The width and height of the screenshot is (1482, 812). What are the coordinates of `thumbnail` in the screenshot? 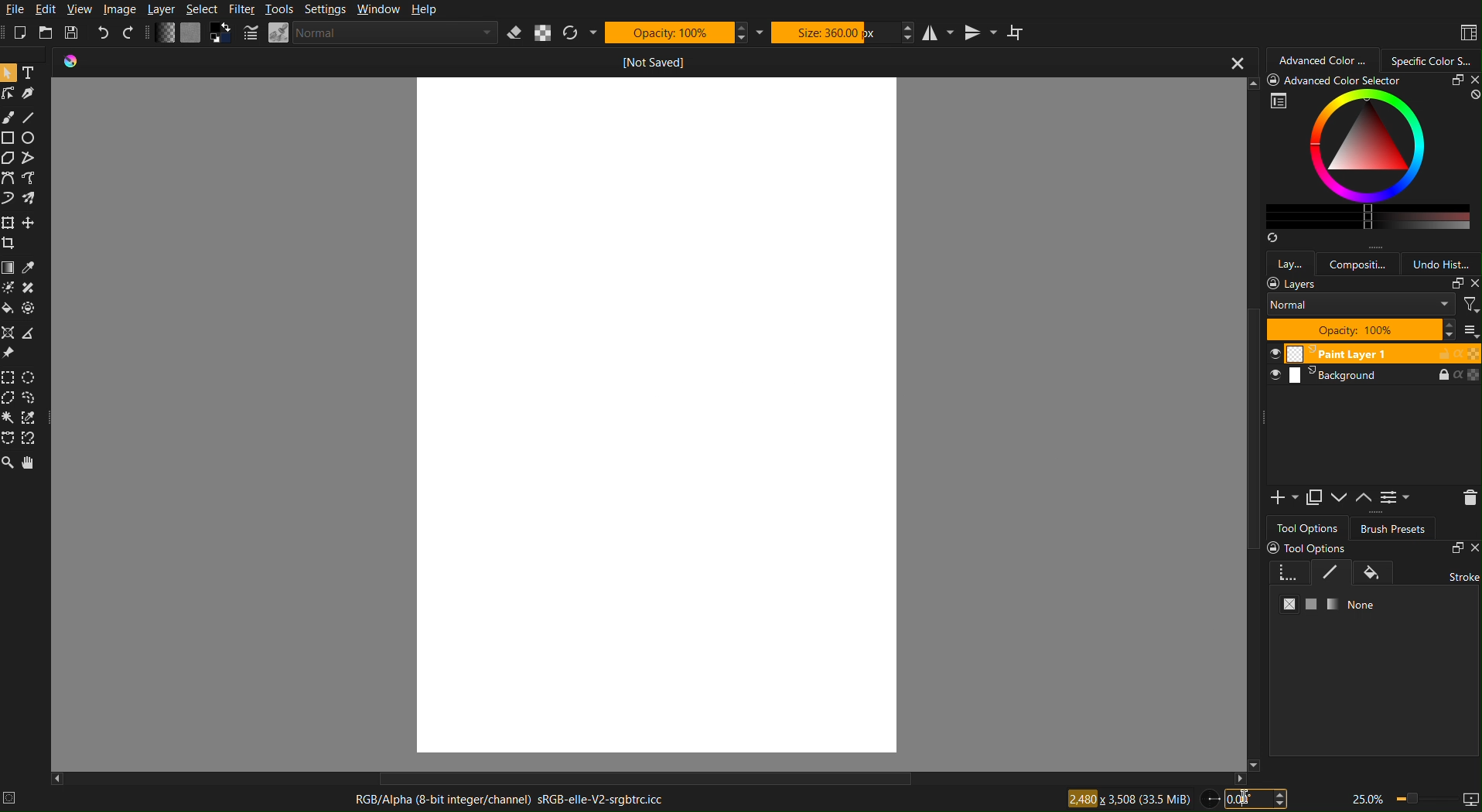 It's located at (1469, 330).